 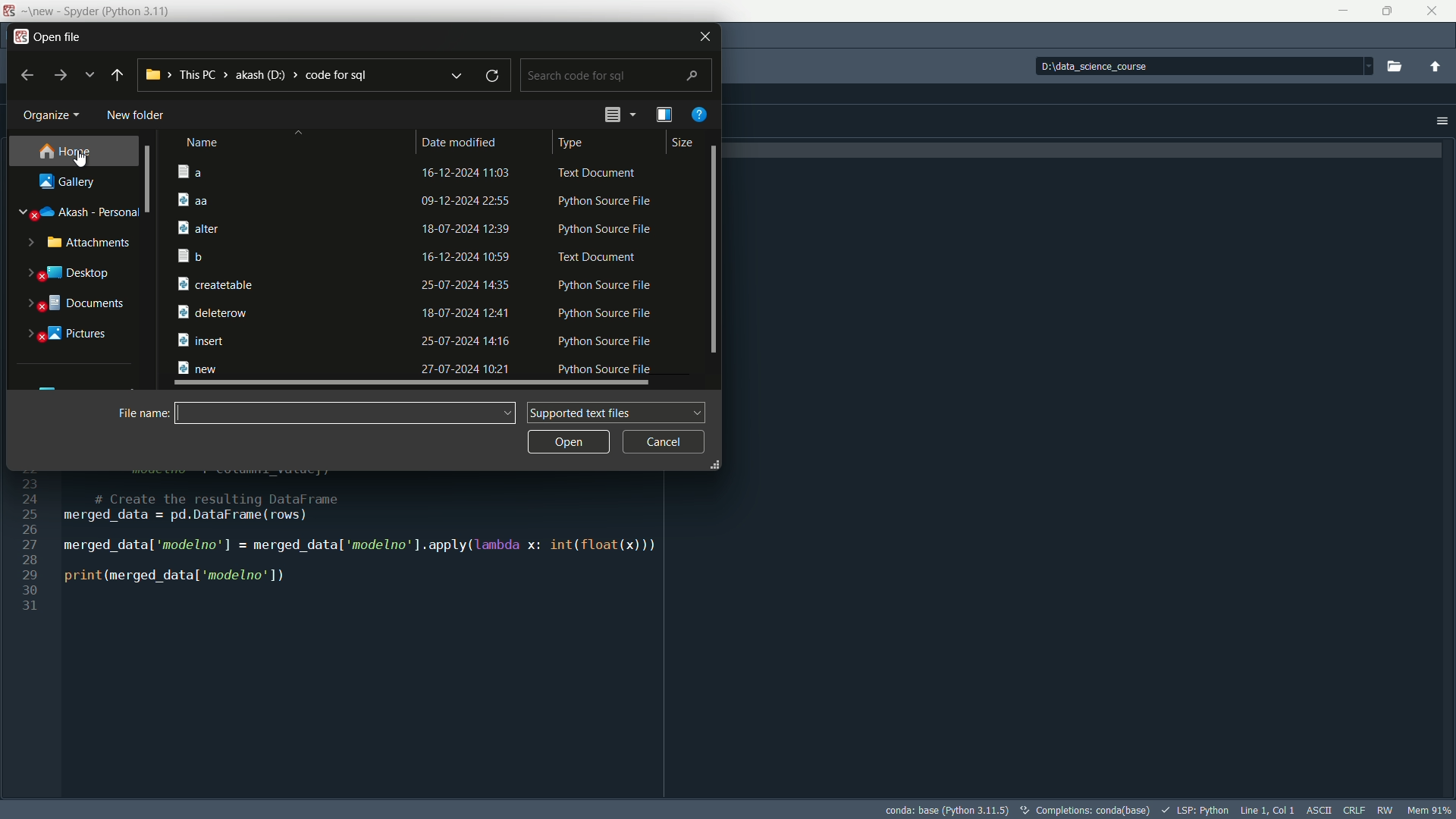 I want to click on file name, so click(x=283, y=226).